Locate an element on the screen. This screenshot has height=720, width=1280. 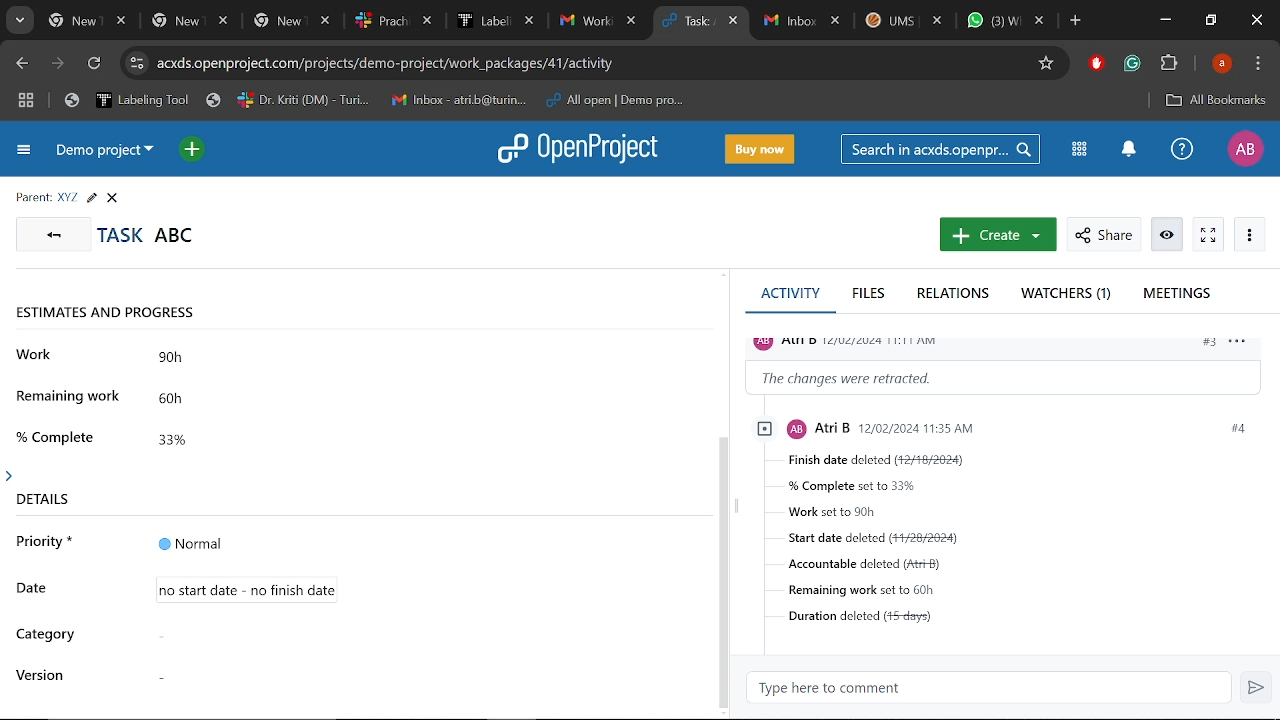
Cursor is located at coordinates (151, 592).